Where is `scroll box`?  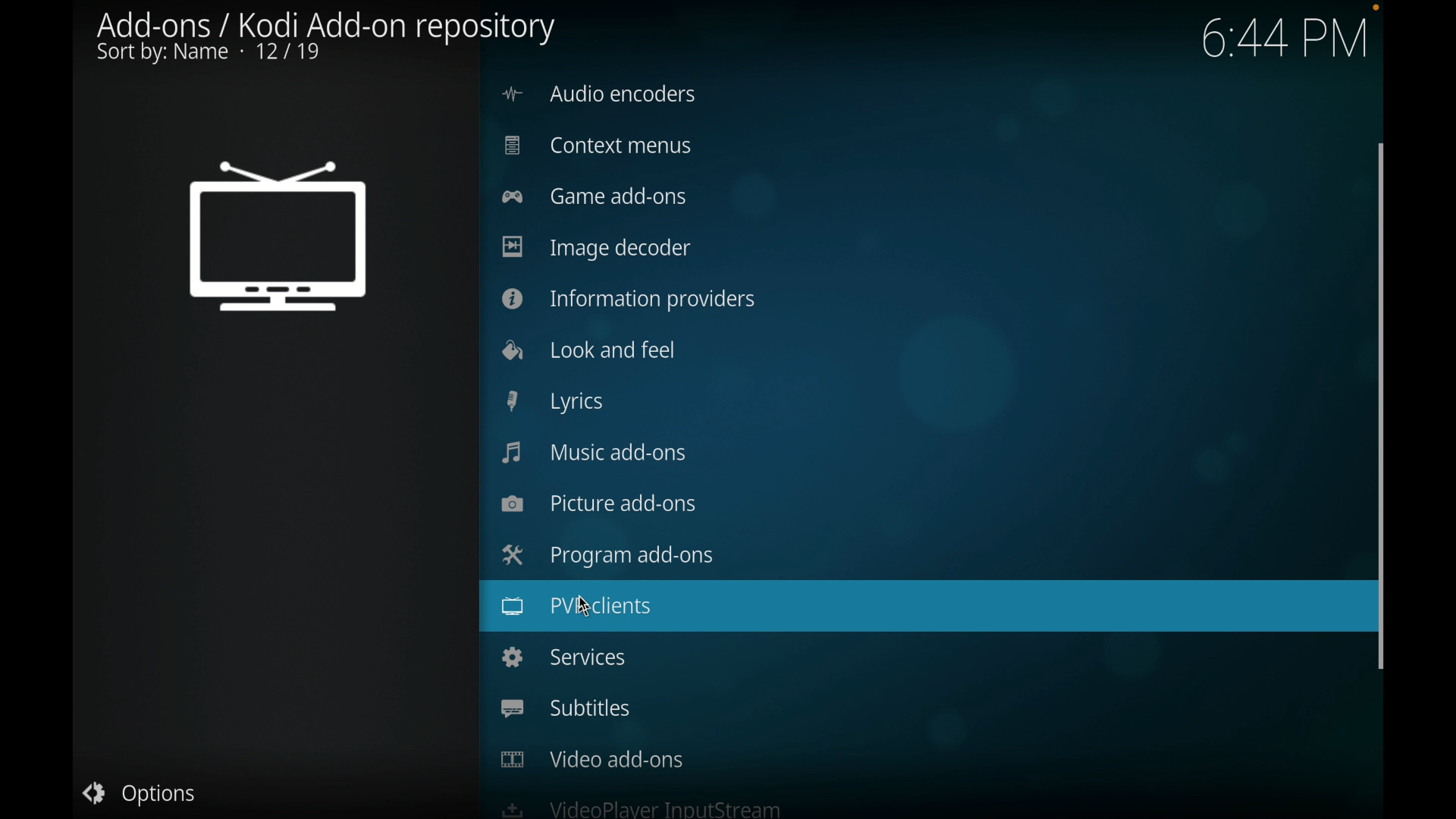 scroll box is located at coordinates (1382, 406).